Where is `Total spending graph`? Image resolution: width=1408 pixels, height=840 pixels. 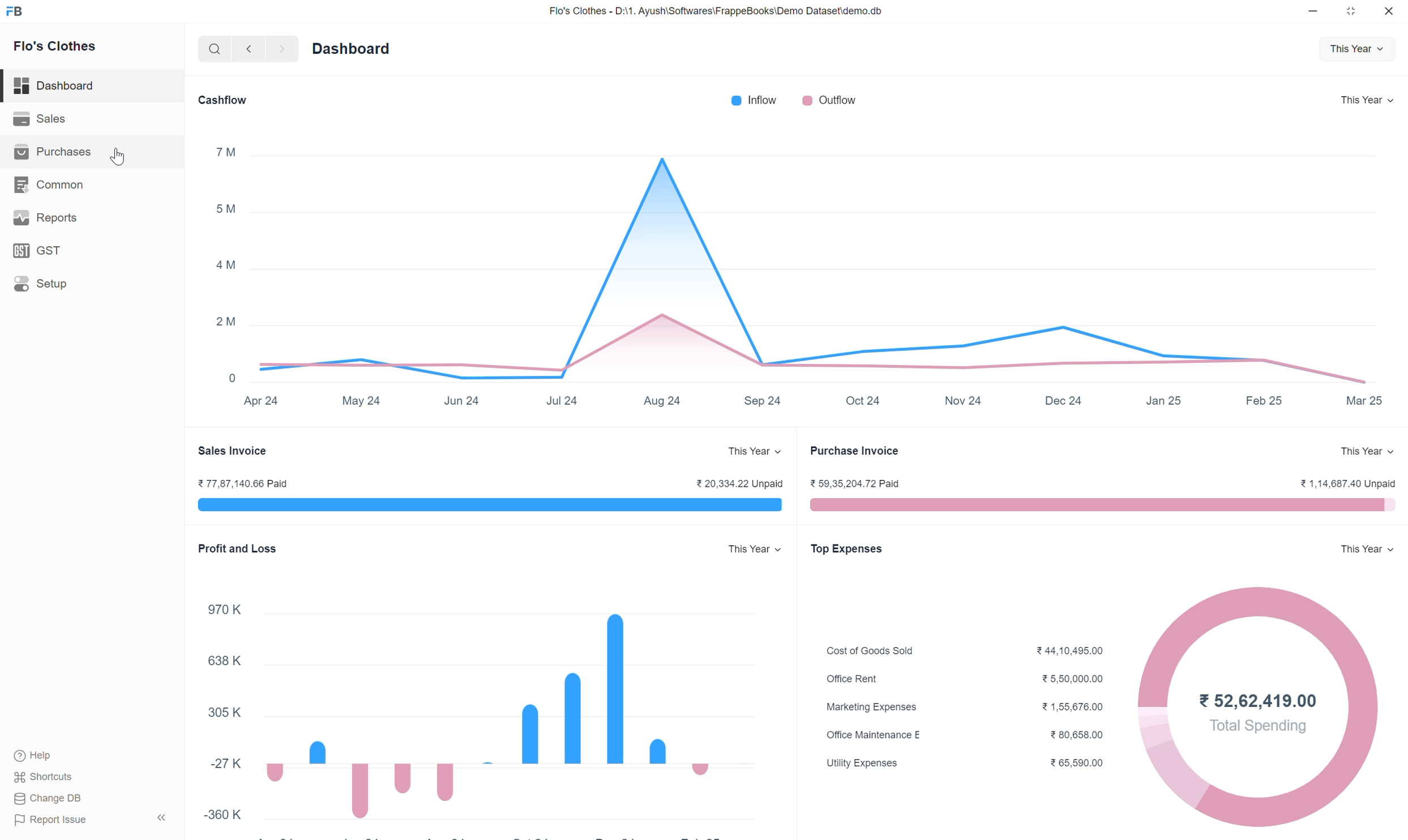 Total spending graph is located at coordinates (1155, 714).